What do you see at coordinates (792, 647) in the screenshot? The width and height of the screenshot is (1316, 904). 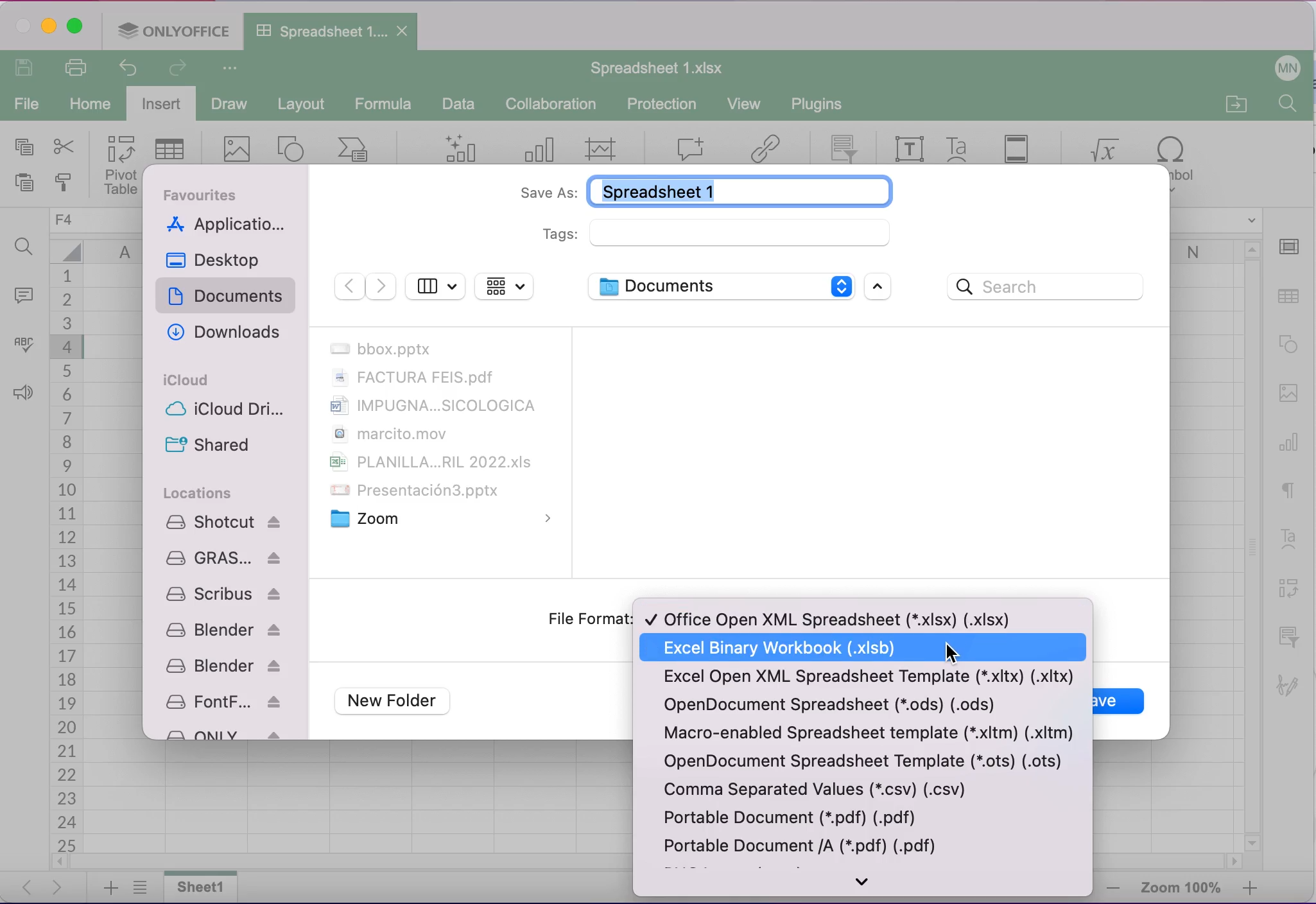 I see `excel binary workbook` at bounding box center [792, 647].